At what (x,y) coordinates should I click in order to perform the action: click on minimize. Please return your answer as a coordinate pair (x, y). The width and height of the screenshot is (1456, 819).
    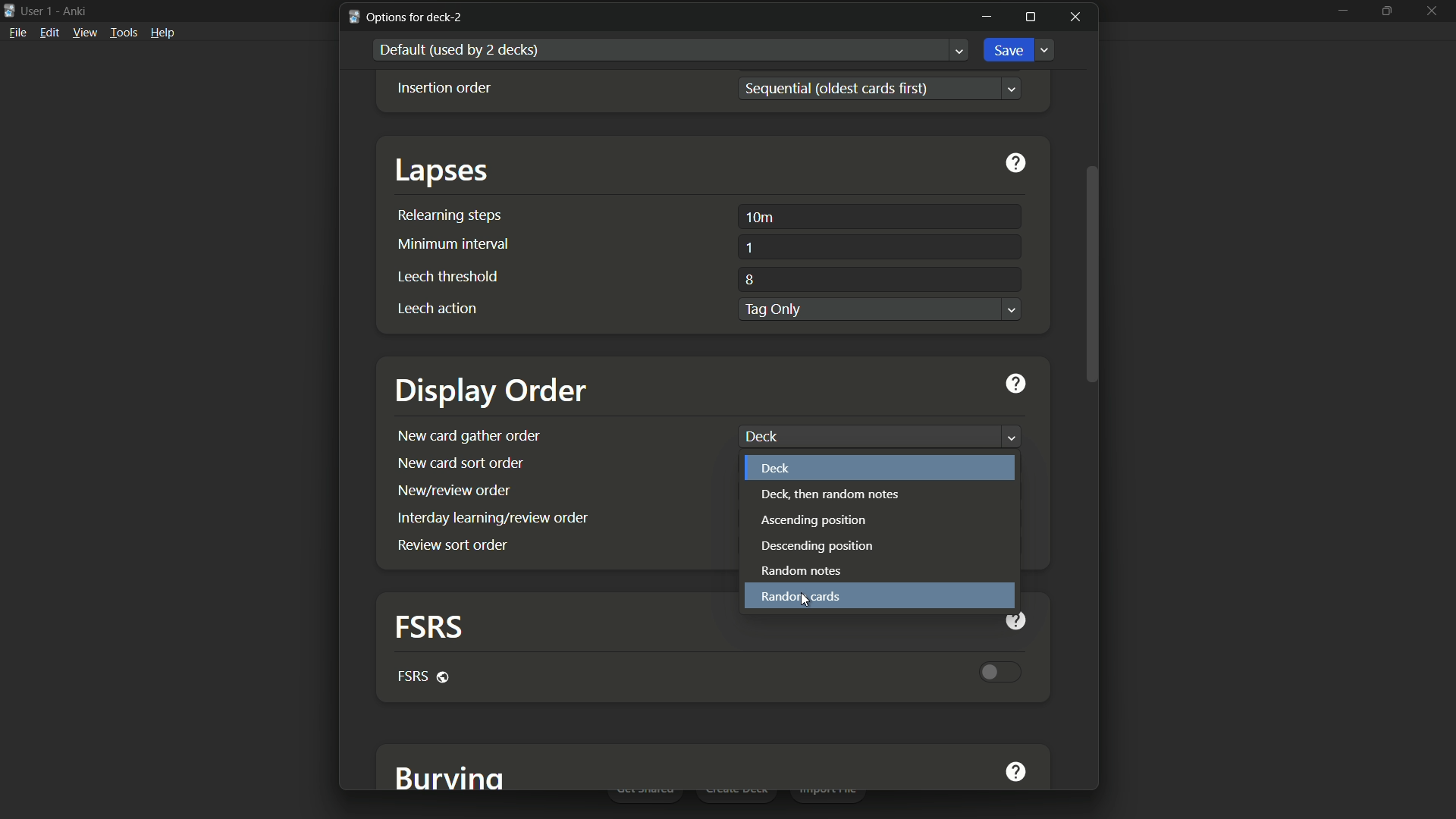
    Looking at the image, I should click on (1341, 10).